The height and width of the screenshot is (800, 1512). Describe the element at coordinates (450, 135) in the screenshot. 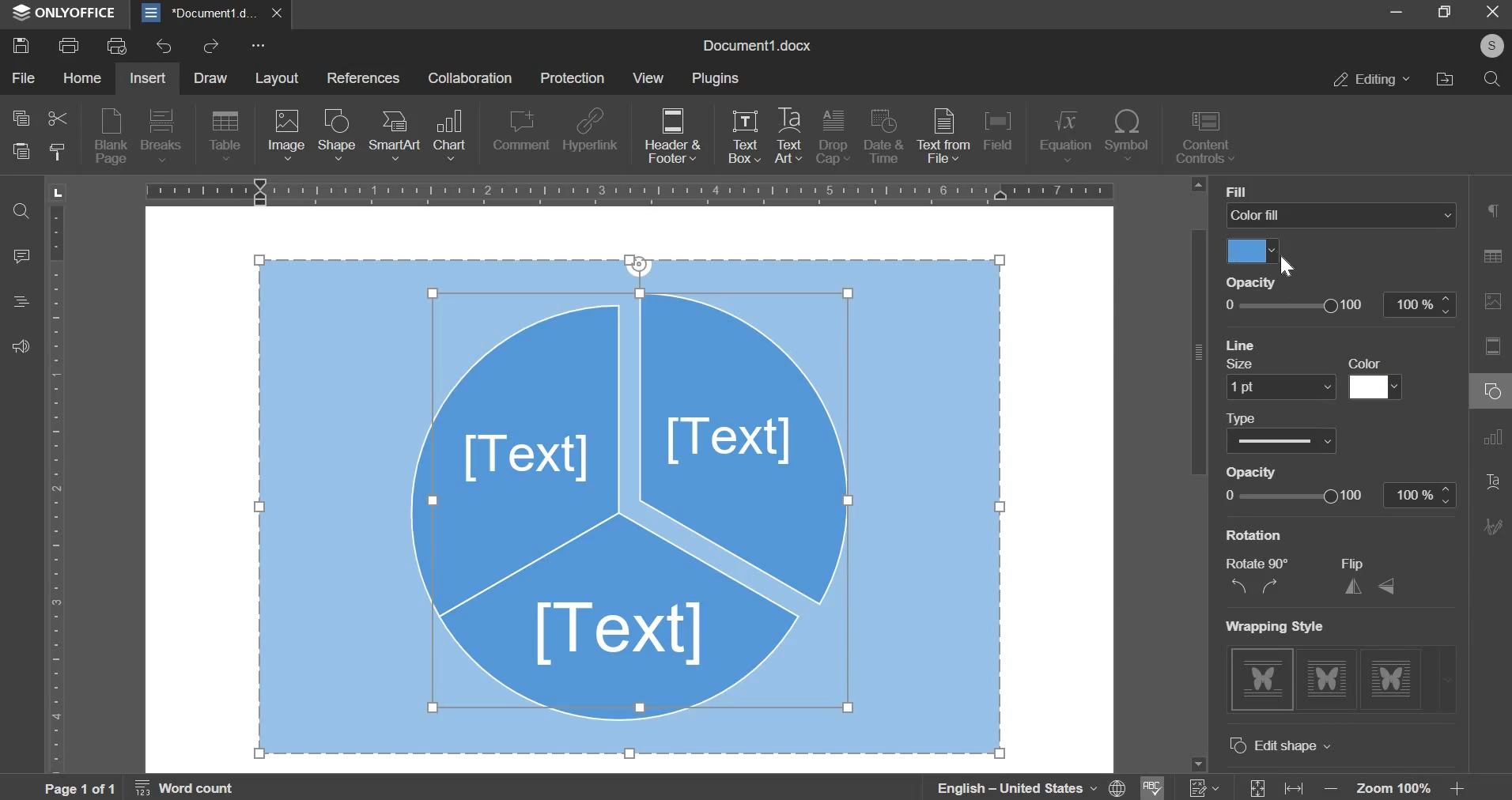

I see `chart` at that location.